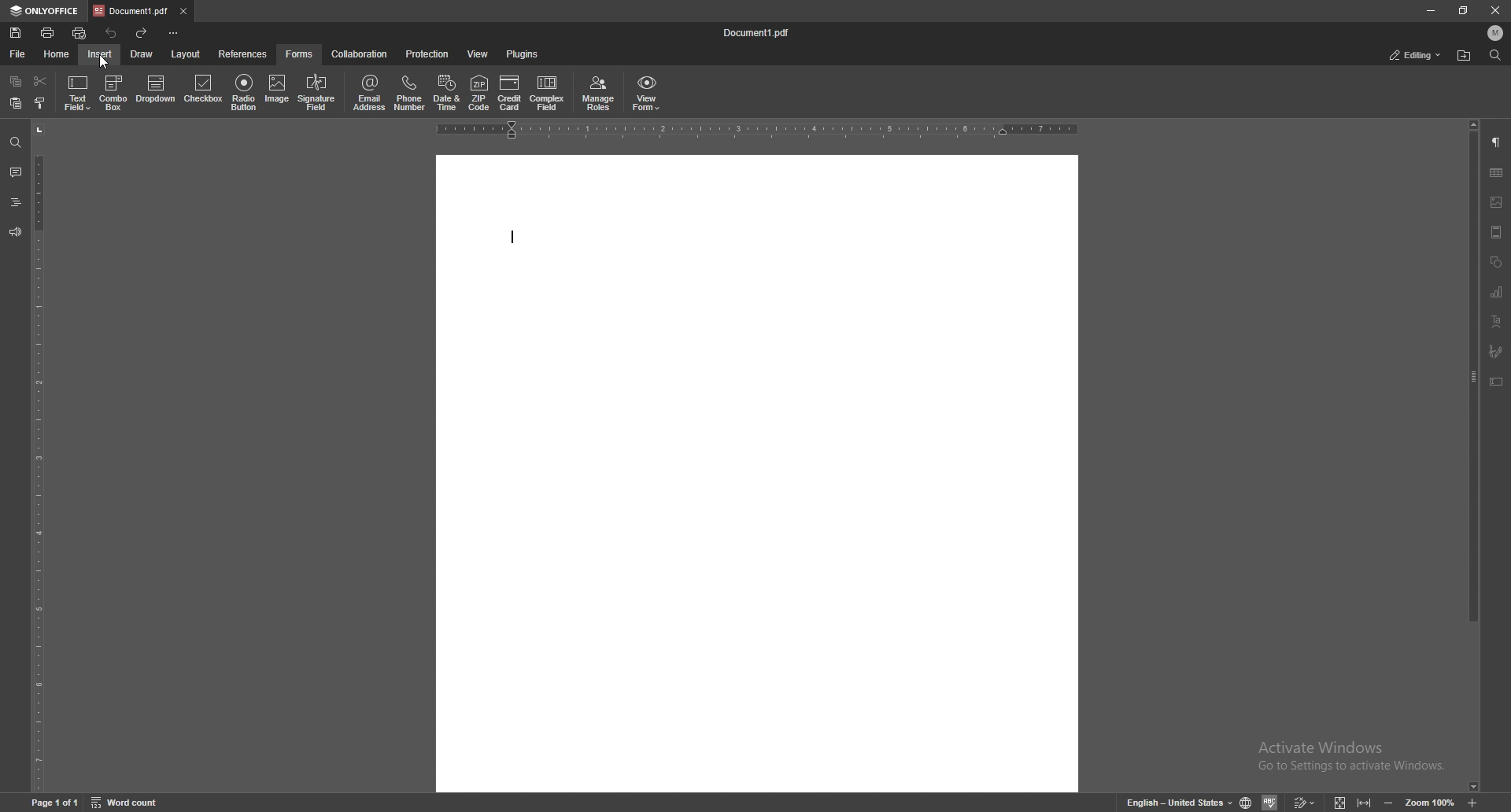 The image size is (1511, 812). Describe the element at coordinates (16, 33) in the screenshot. I see `save` at that location.